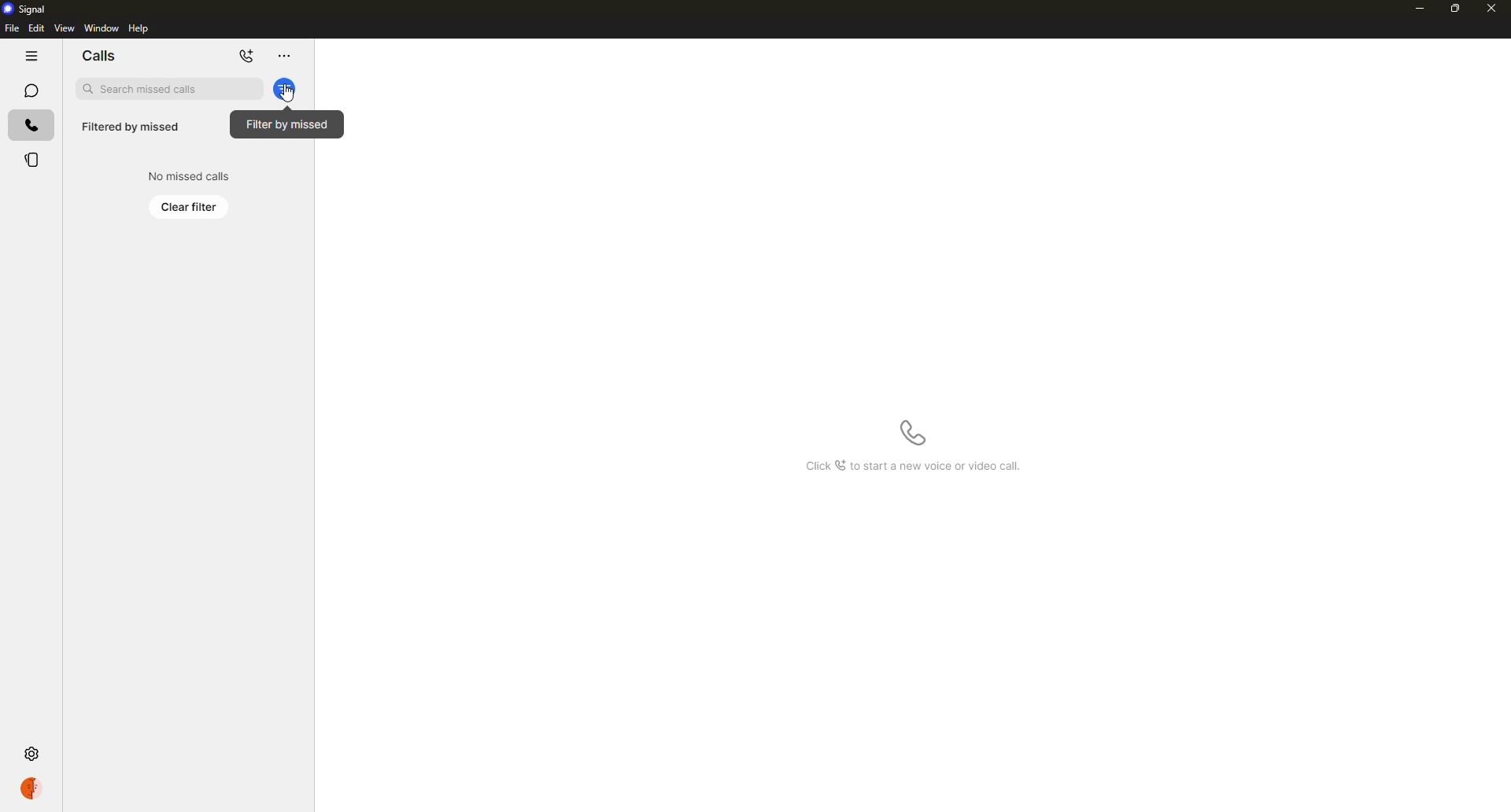 This screenshot has width=1511, height=812. What do you see at coordinates (912, 467) in the screenshot?
I see `See what's new in this update` at bounding box center [912, 467].